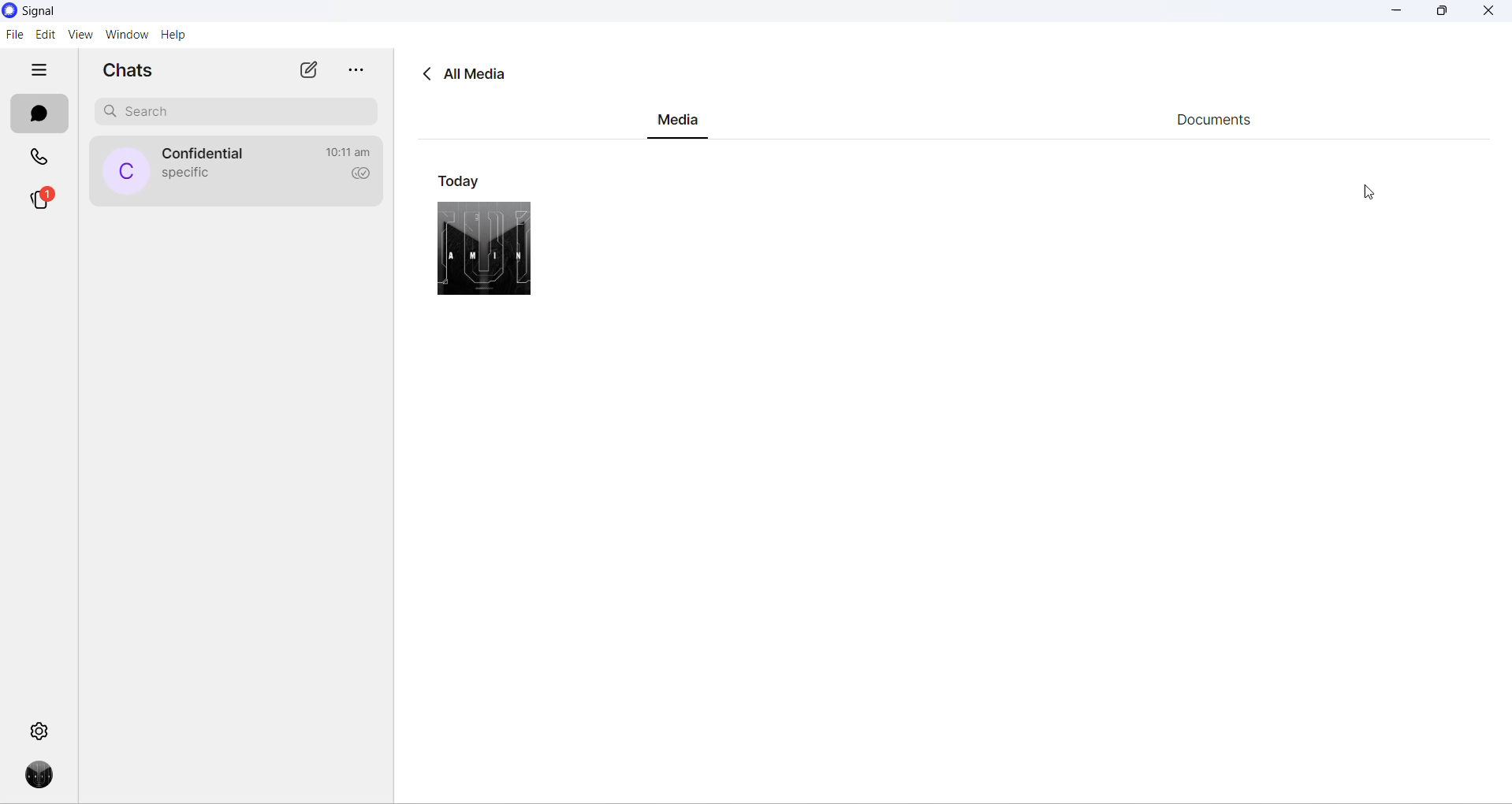  Describe the element at coordinates (678, 124) in the screenshot. I see `media section` at that location.